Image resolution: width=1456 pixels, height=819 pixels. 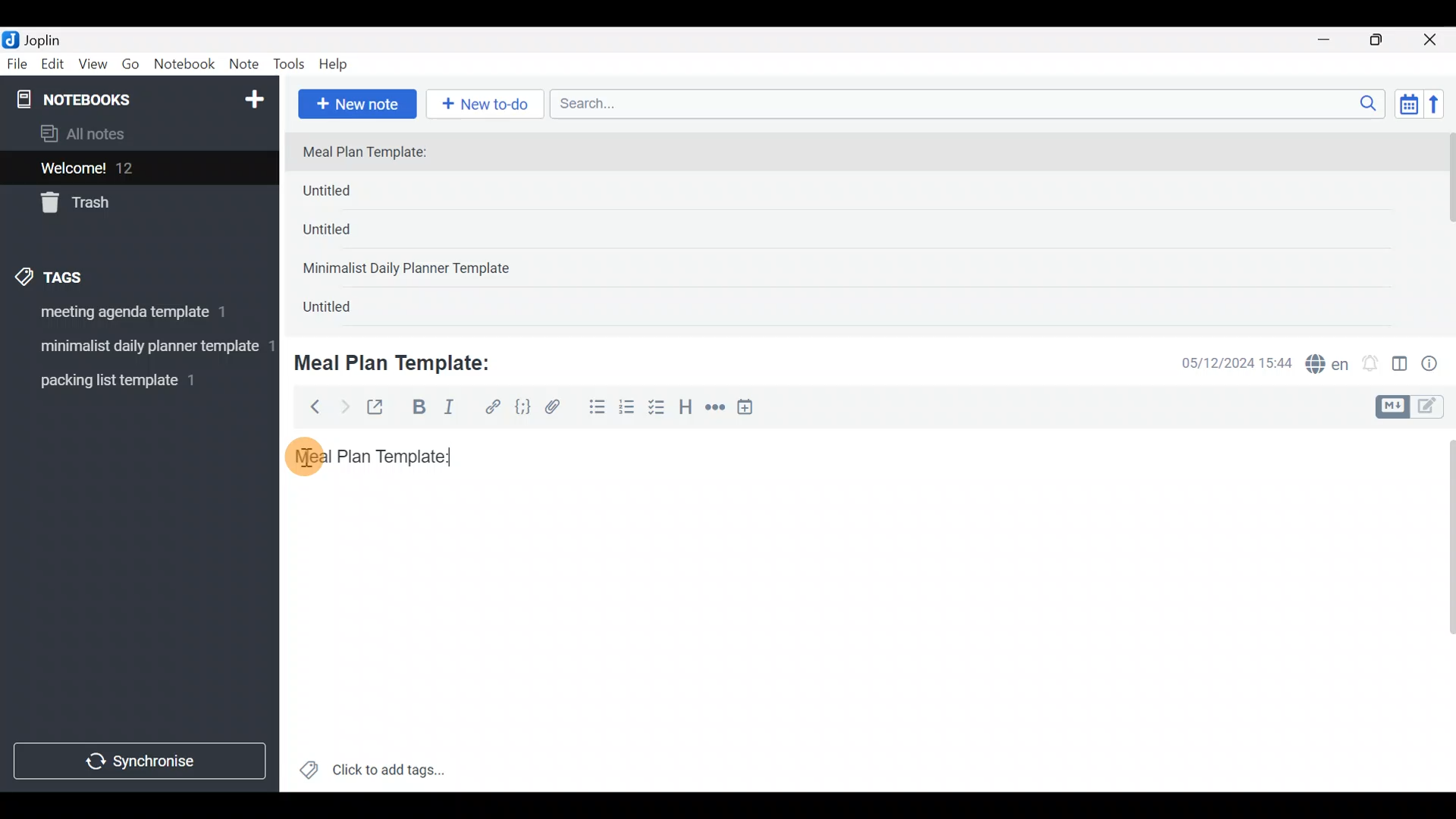 What do you see at coordinates (1225, 362) in the screenshot?
I see `Date & time` at bounding box center [1225, 362].